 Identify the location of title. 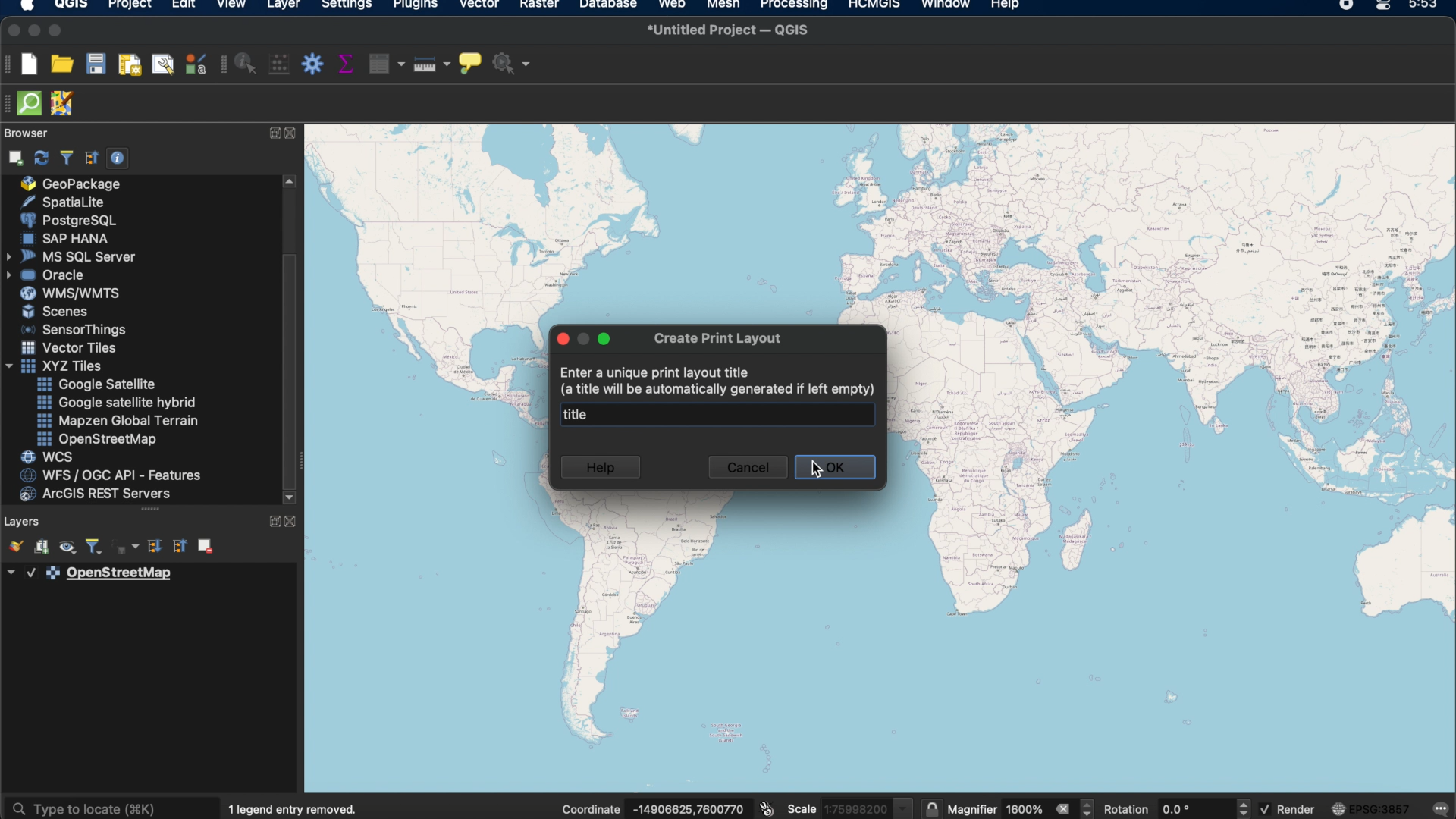
(720, 414).